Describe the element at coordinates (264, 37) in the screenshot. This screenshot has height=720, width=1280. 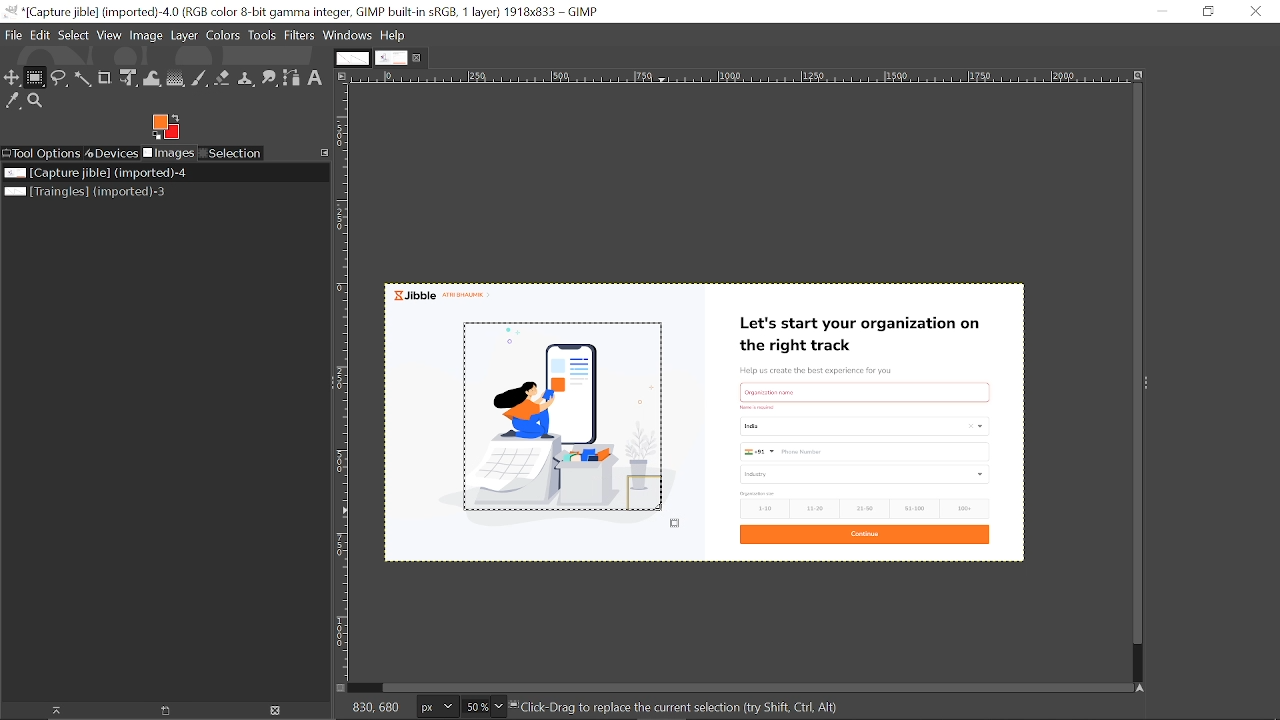
I see `Tools` at that location.